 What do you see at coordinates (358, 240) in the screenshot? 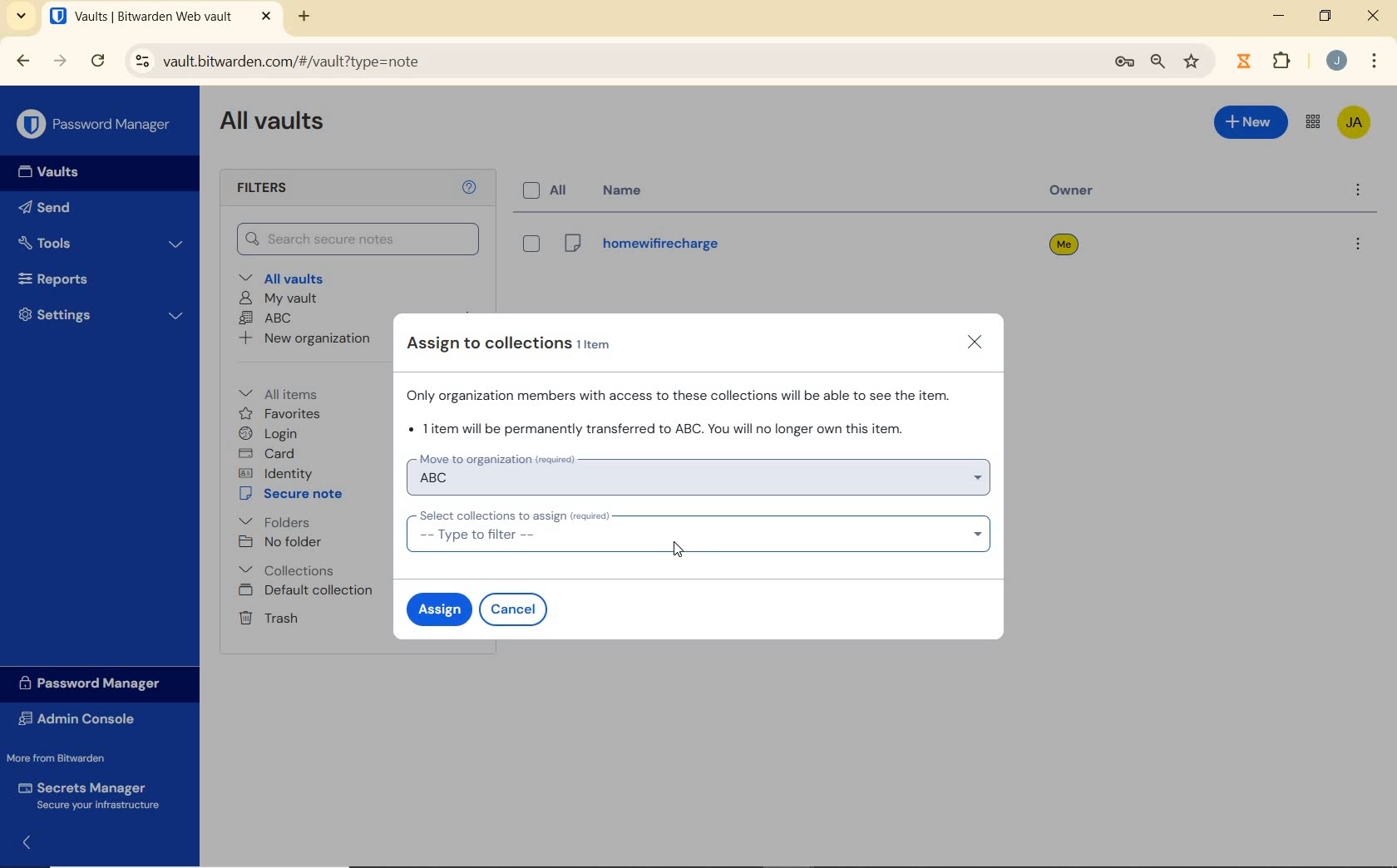
I see `Search Vault` at bounding box center [358, 240].